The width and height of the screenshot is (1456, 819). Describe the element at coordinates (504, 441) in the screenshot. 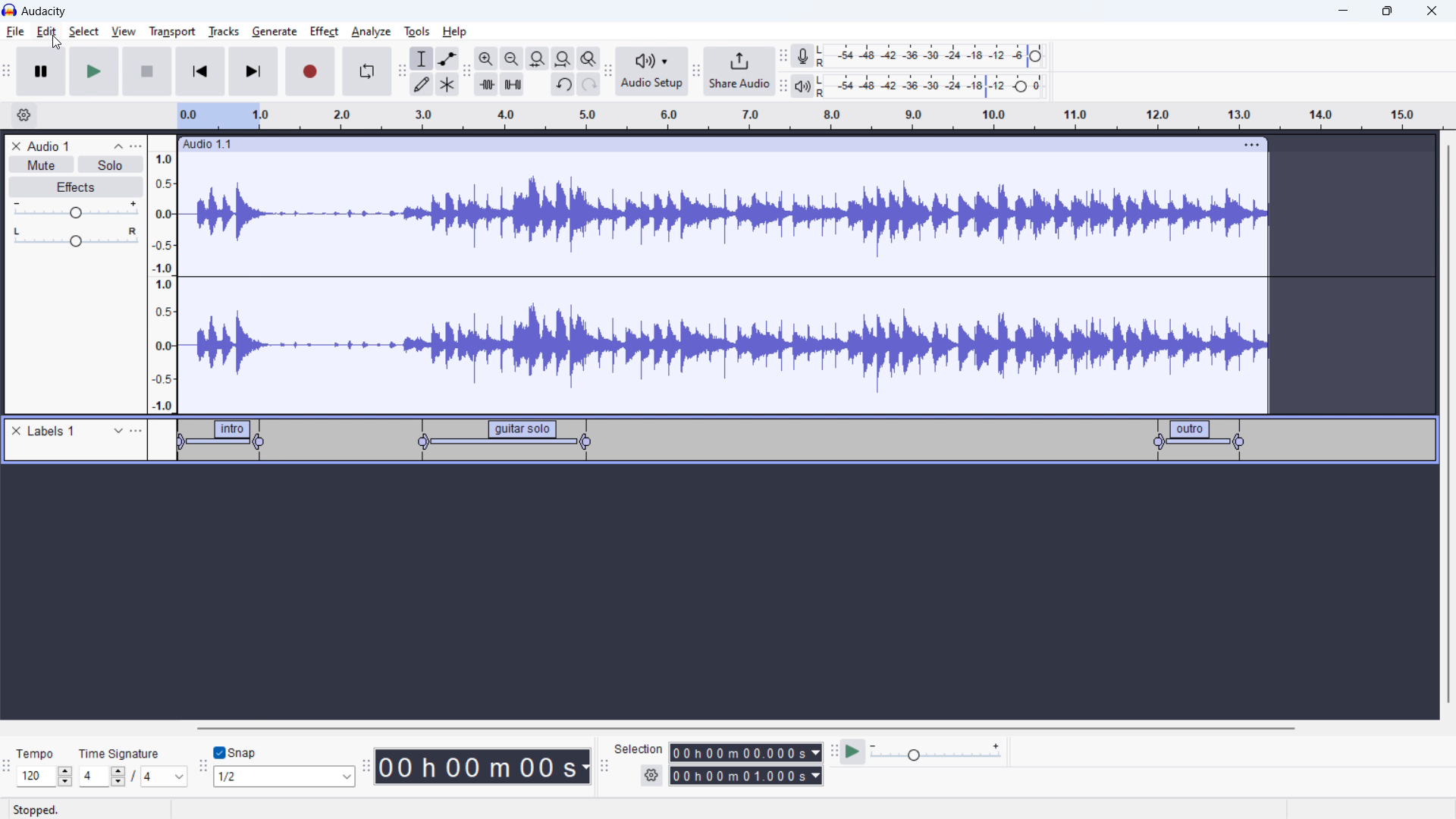

I see `label 2` at that location.